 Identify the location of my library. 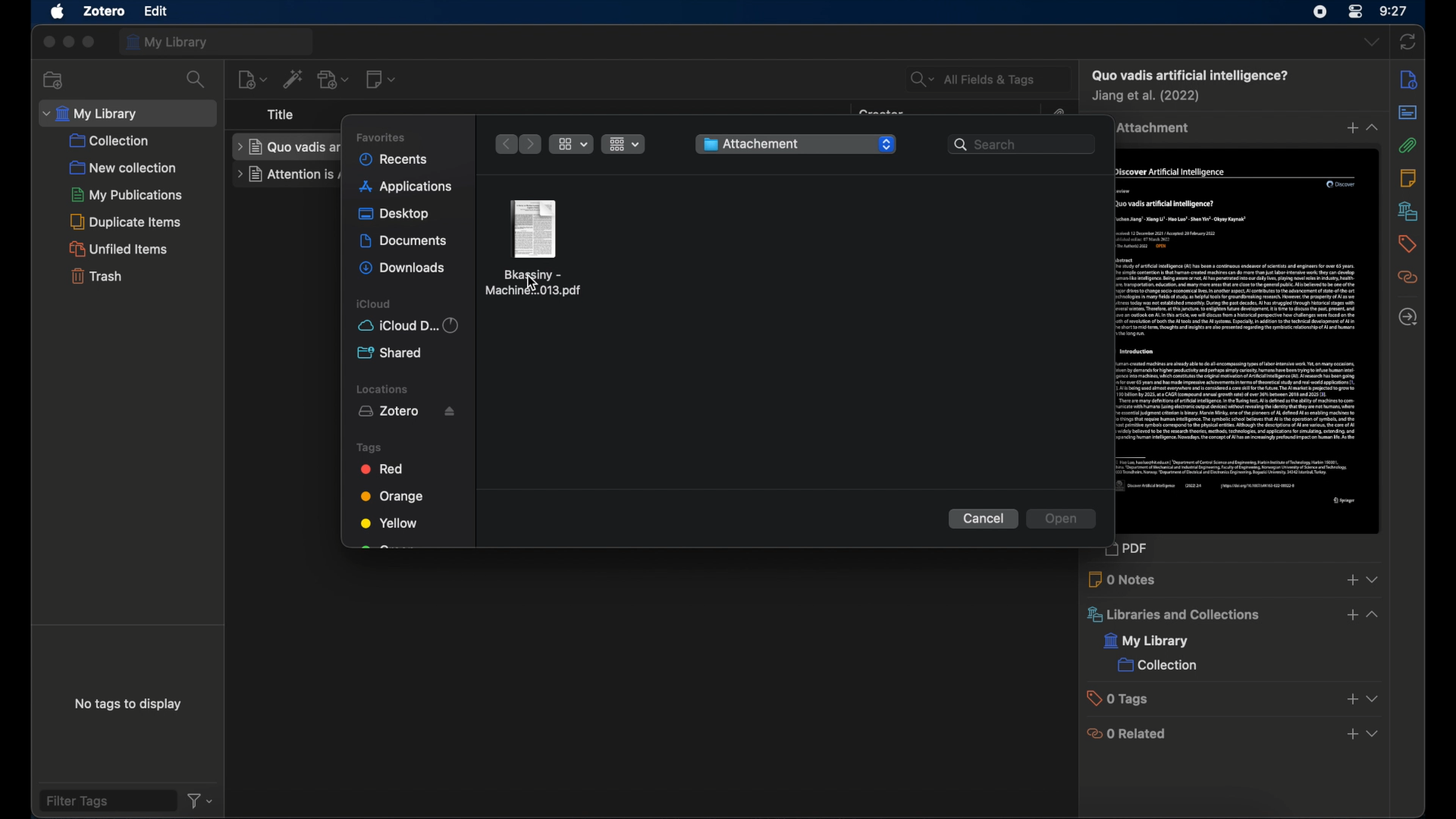
(216, 41).